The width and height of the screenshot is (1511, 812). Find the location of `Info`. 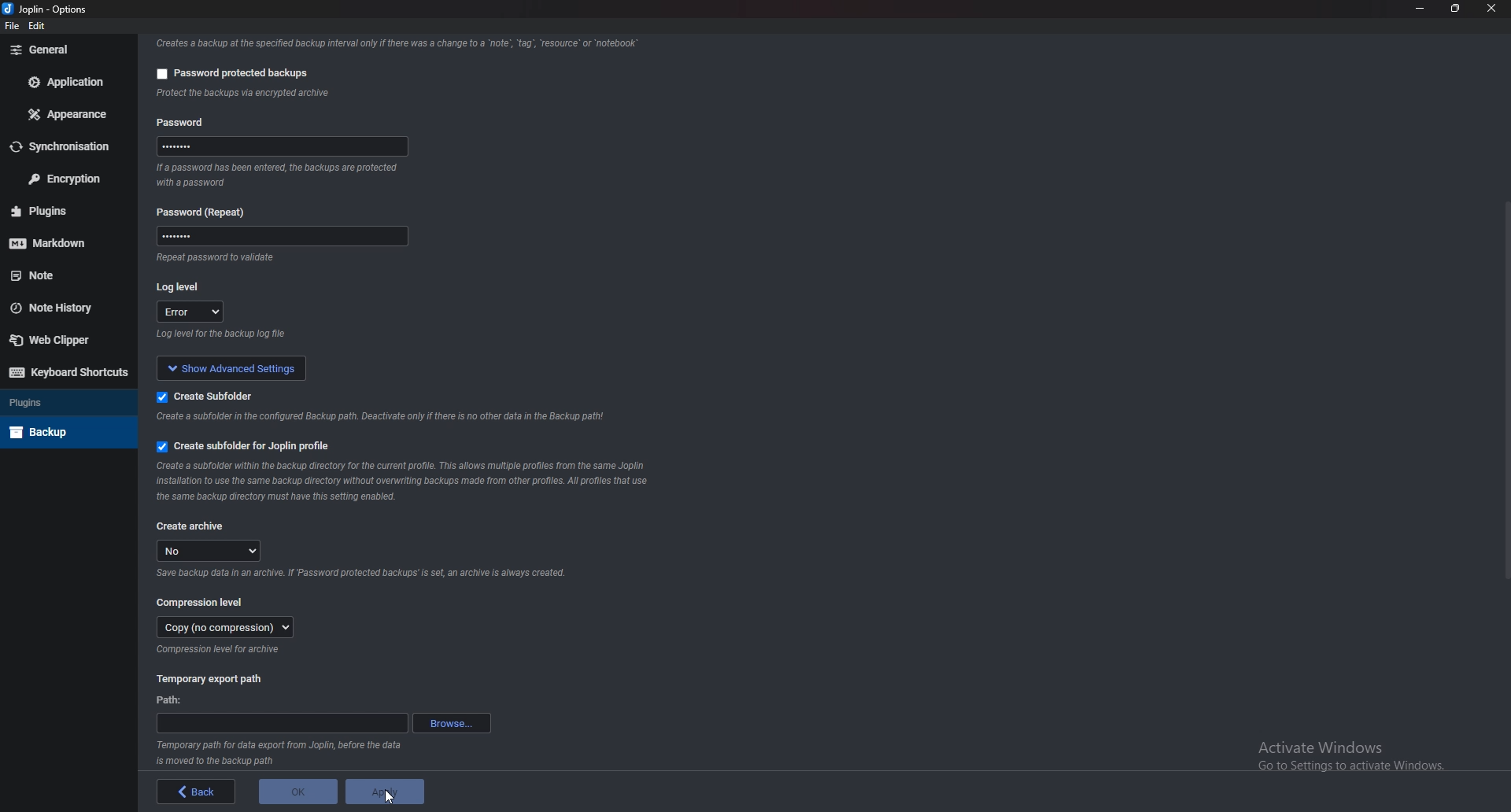

Info is located at coordinates (220, 651).